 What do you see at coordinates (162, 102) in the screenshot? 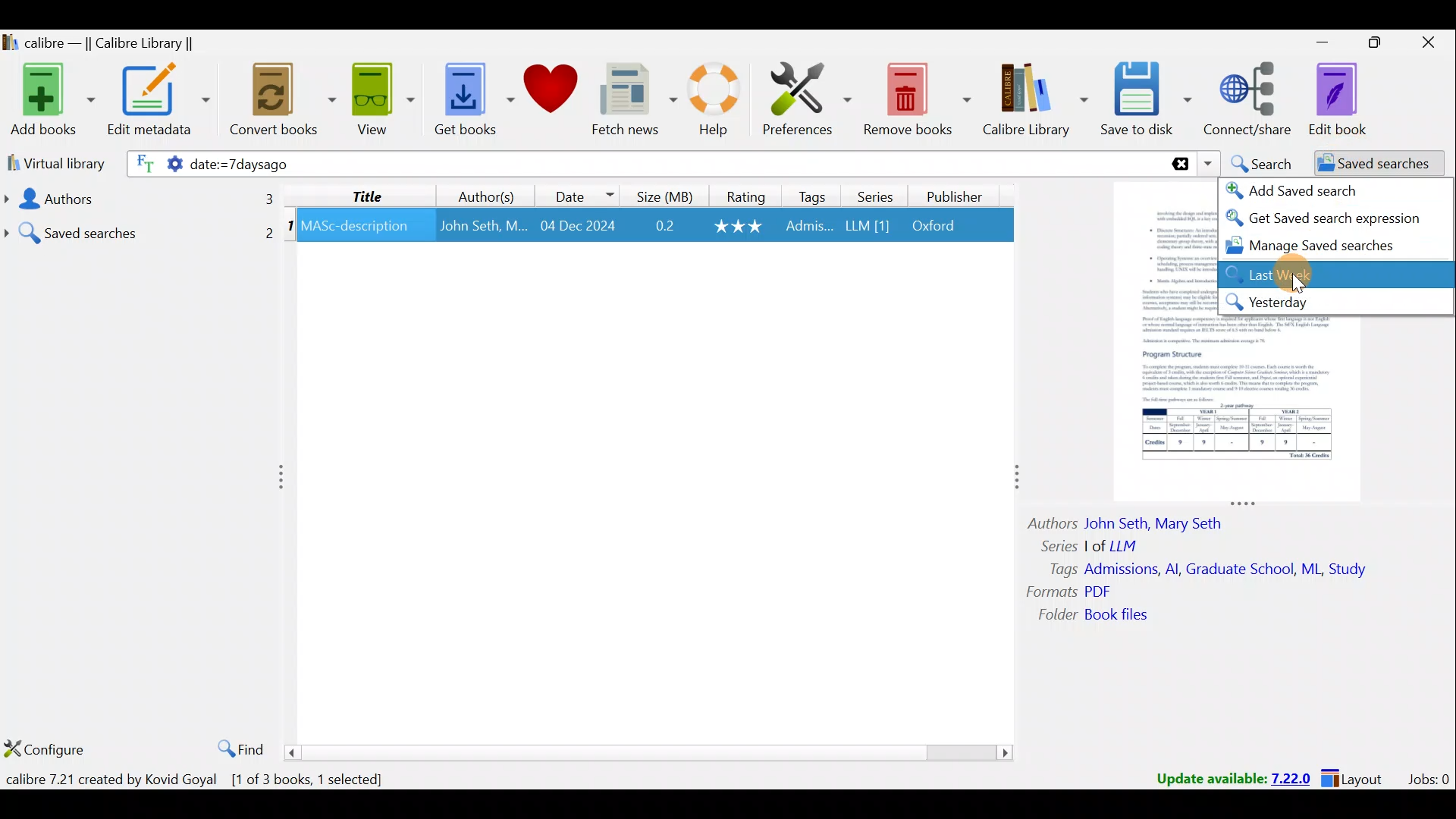
I see `Edit metadata` at bounding box center [162, 102].